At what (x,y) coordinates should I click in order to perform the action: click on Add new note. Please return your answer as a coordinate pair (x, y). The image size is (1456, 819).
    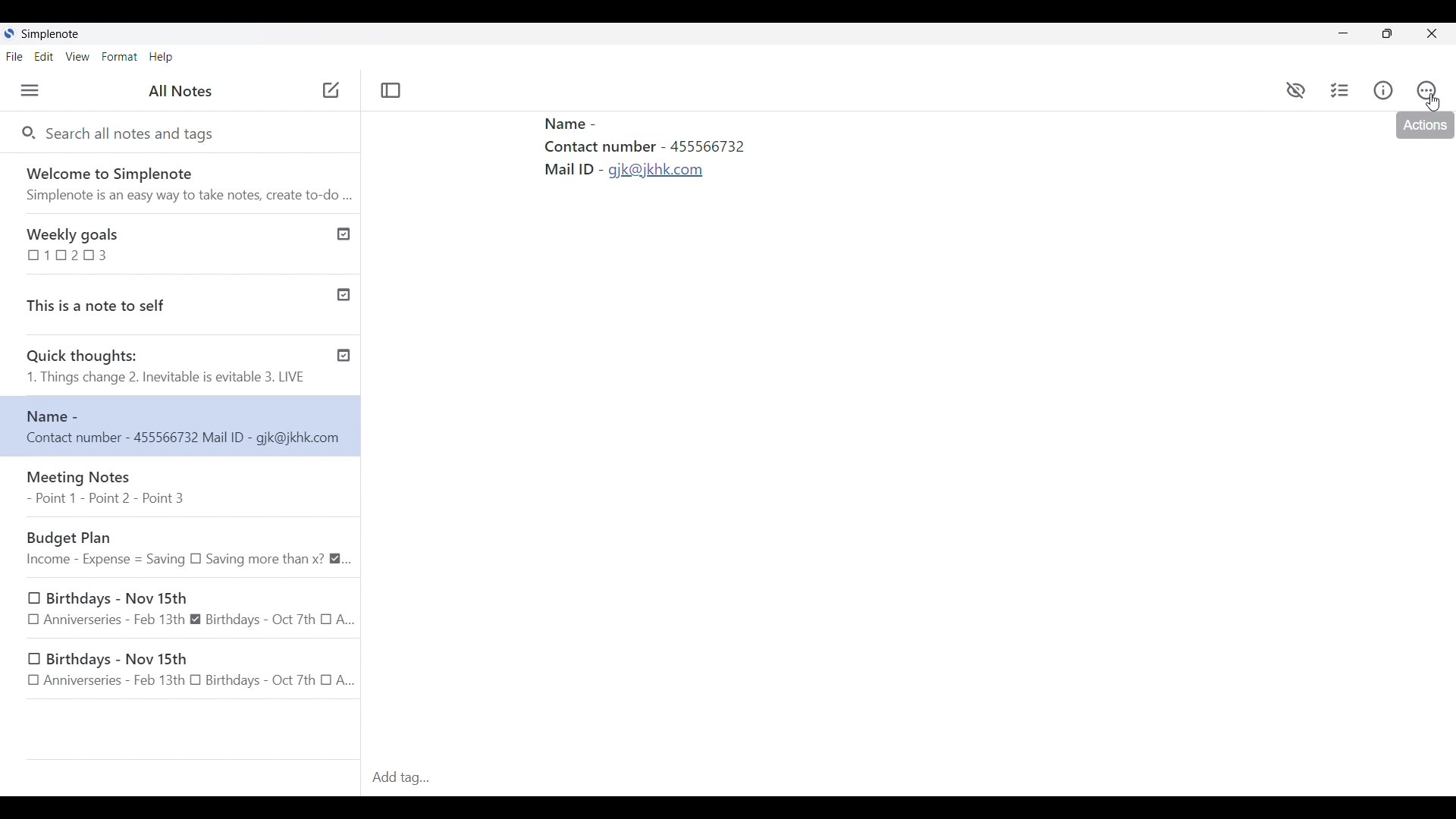
    Looking at the image, I should click on (331, 89).